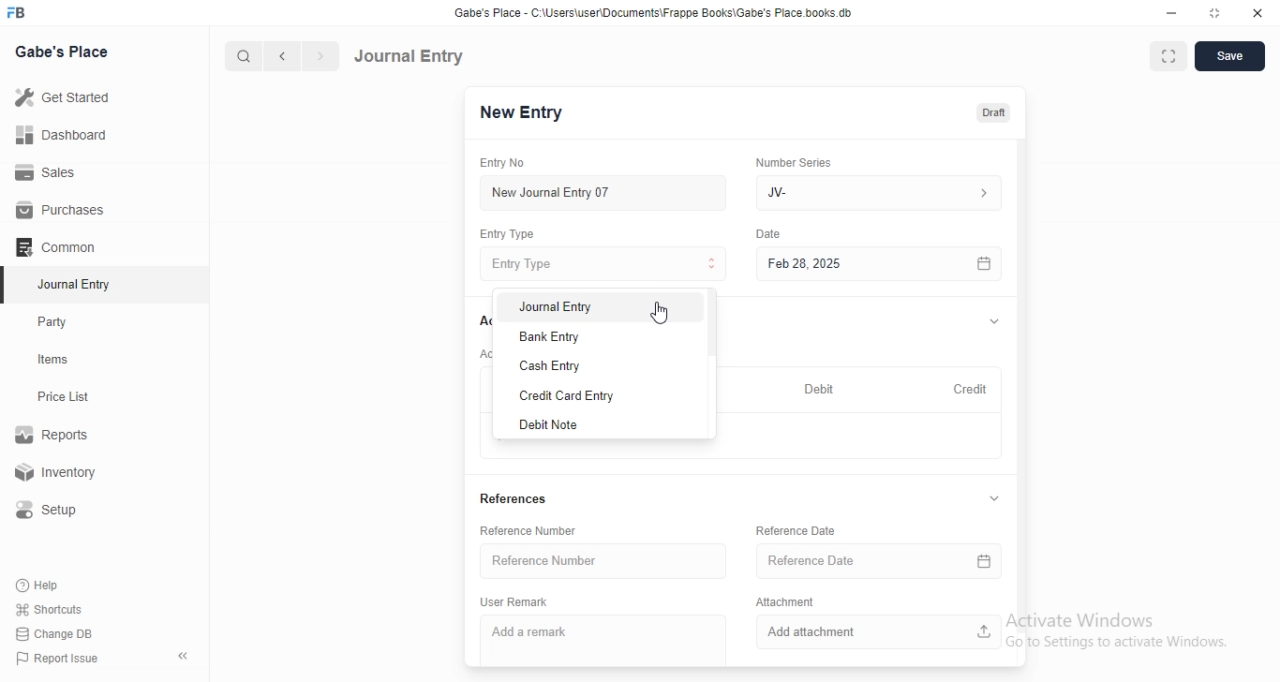  I want to click on close, so click(1258, 12).